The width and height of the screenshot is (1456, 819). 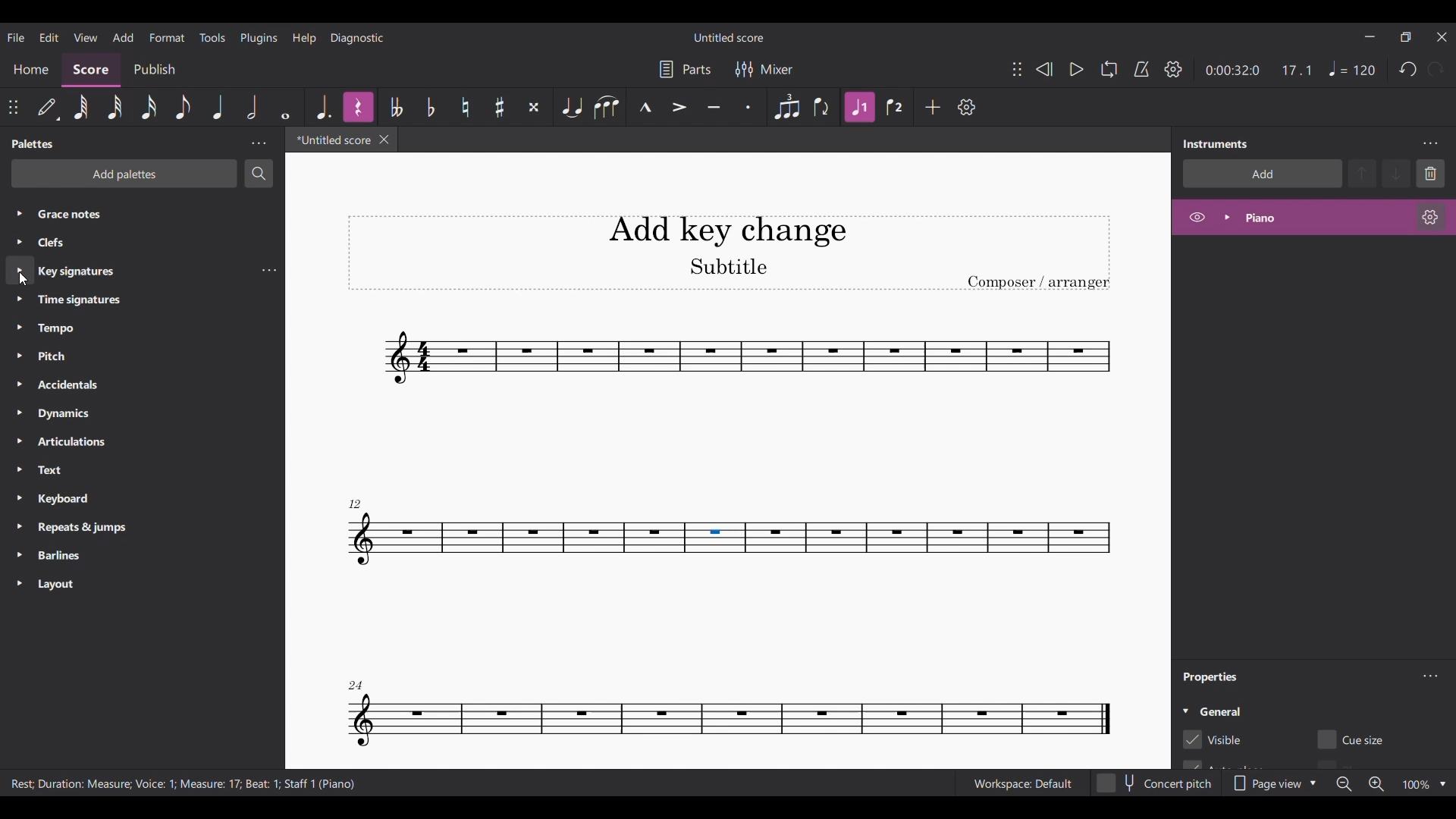 What do you see at coordinates (1141, 68) in the screenshot?
I see `Metronome` at bounding box center [1141, 68].